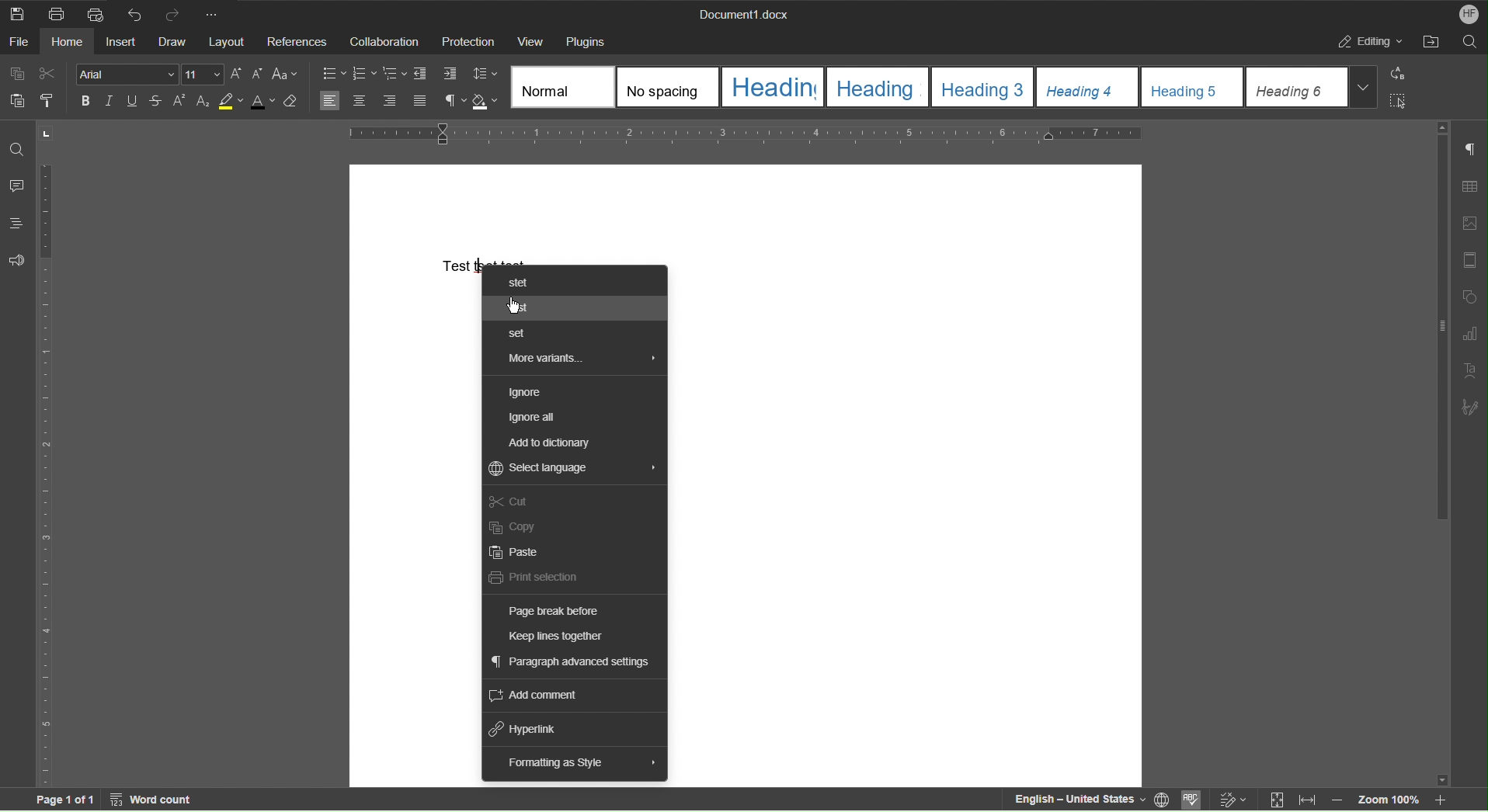  What do you see at coordinates (382, 40) in the screenshot?
I see `Collaboration` at bounding box center [382, 40].